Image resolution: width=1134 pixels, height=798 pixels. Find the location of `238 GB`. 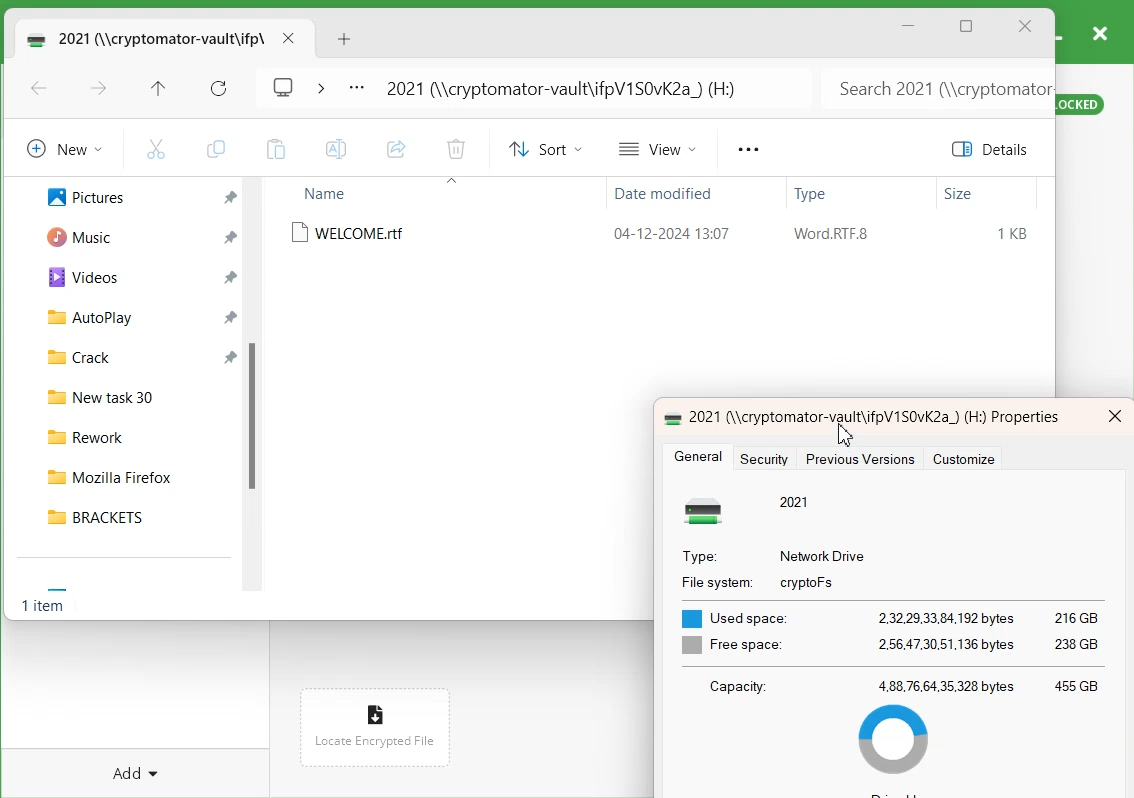

238 GB is located at coordinates (1080, 641).